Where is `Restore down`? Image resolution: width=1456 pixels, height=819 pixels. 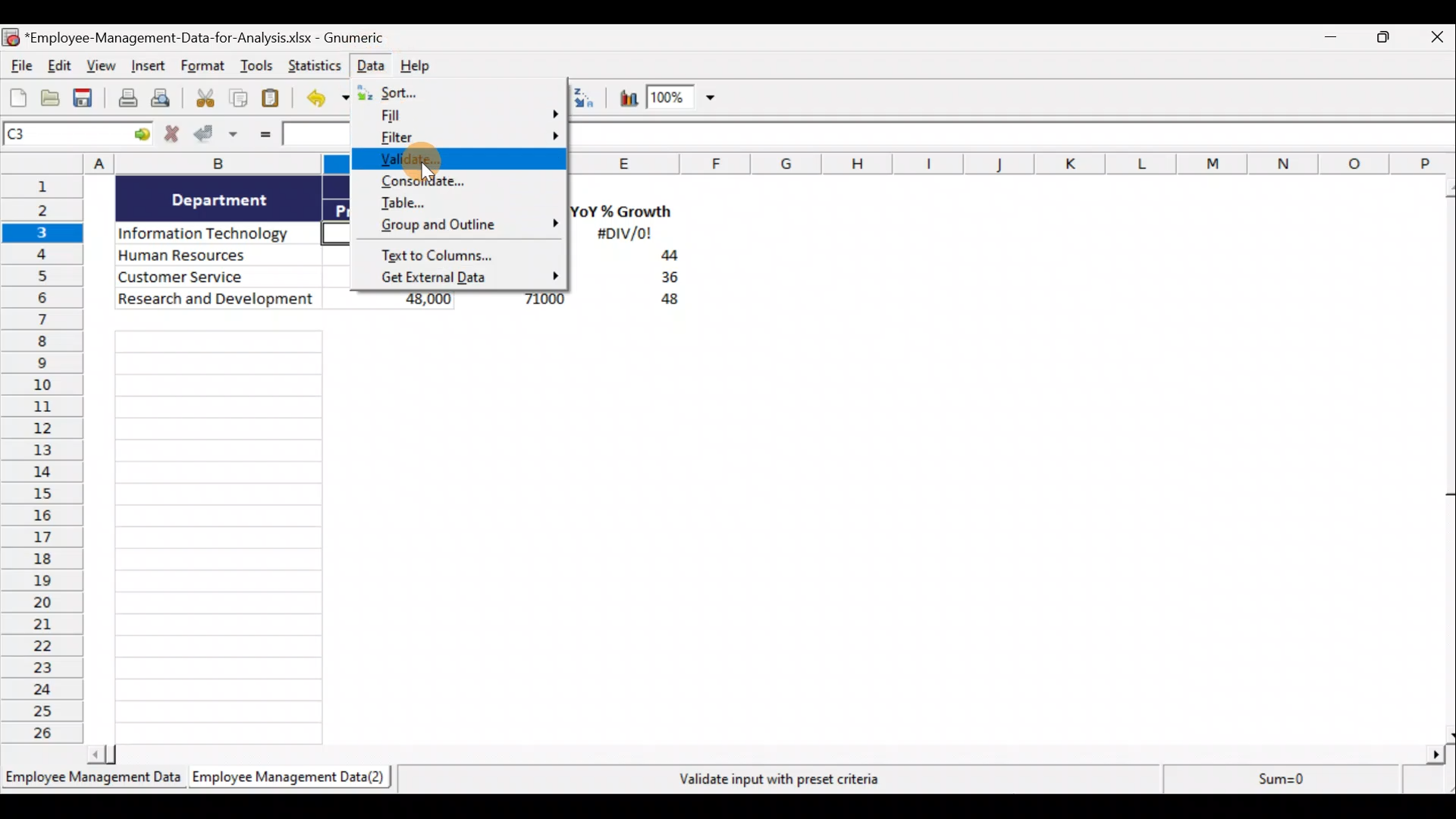
Restore down is located at coordinates (1385, 41).